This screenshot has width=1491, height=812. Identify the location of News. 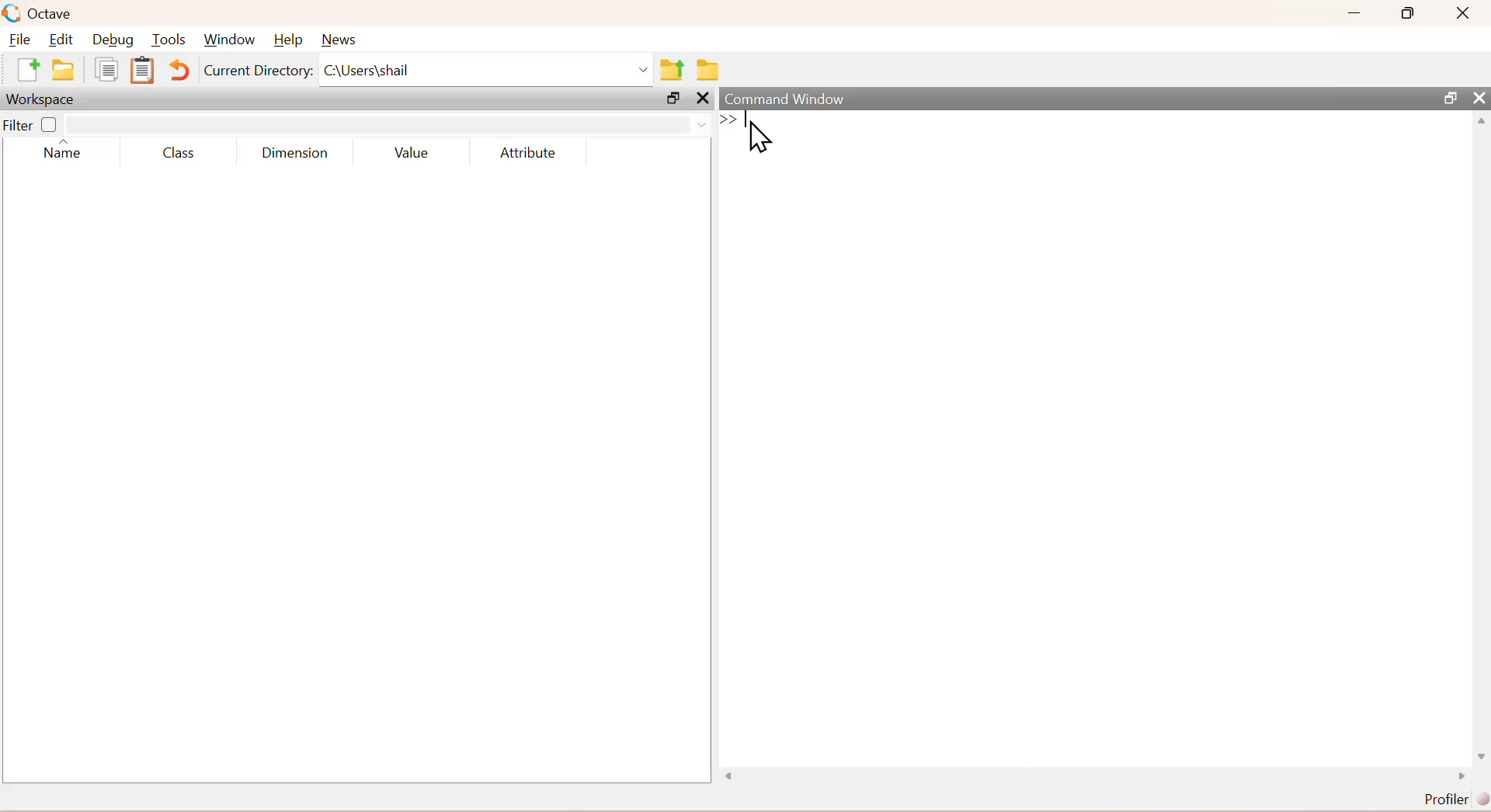
(342, 38).